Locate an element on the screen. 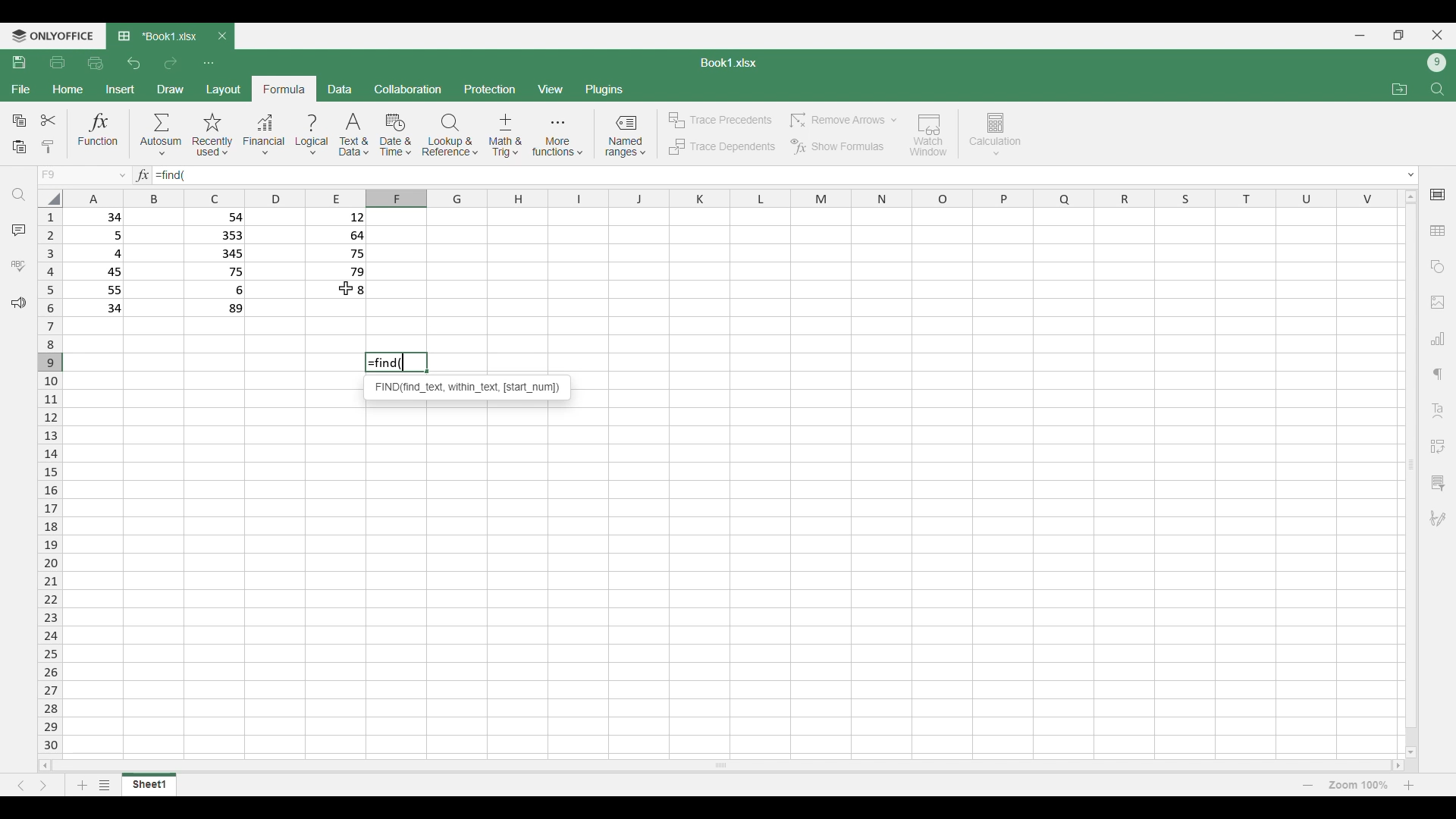 This screenshot has height=819, width=1456. Show formulas is located at coordinates (836, 147).